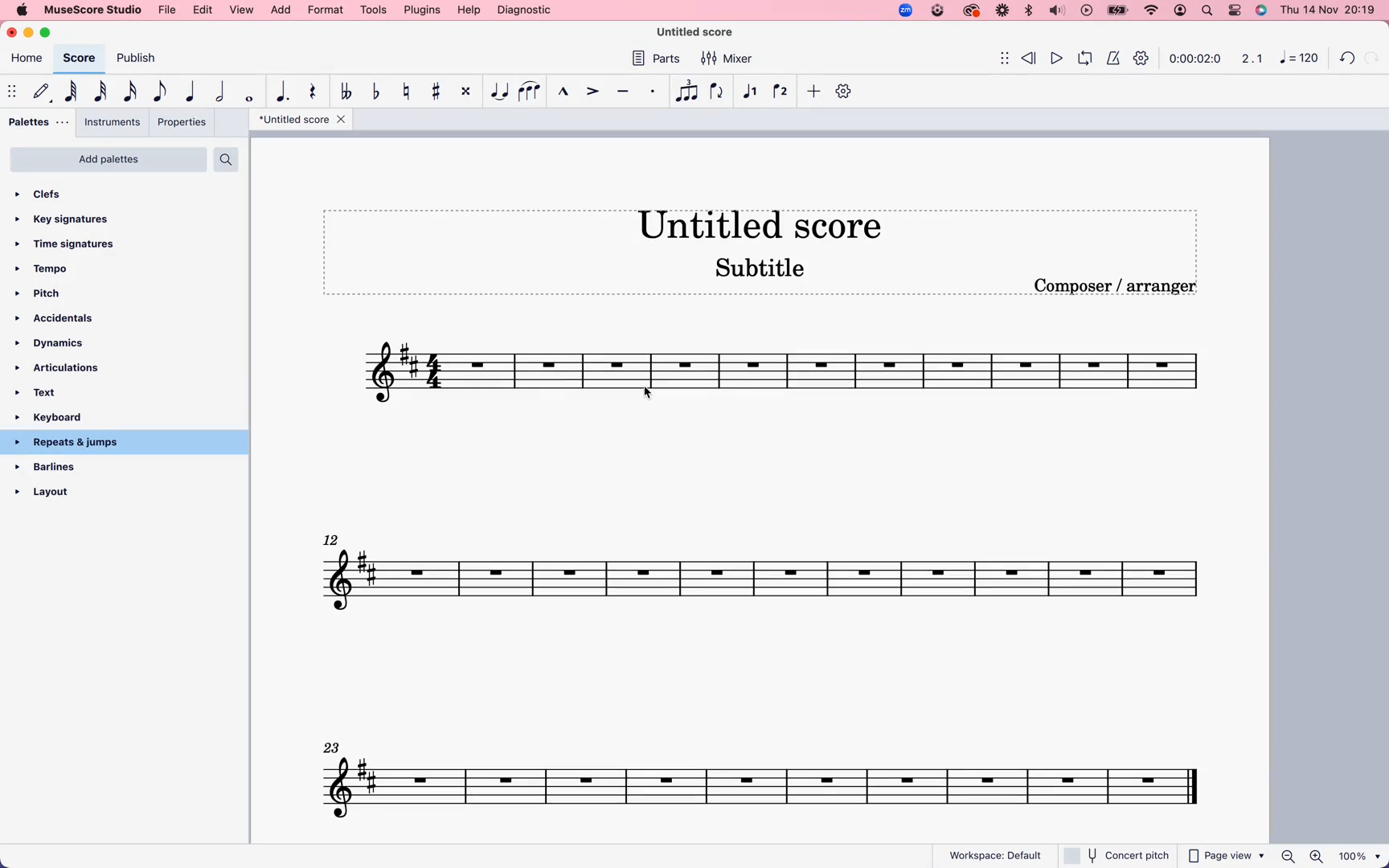 This screenshot has height=868, width=1389. I want to click on date, so click(1326, 10).